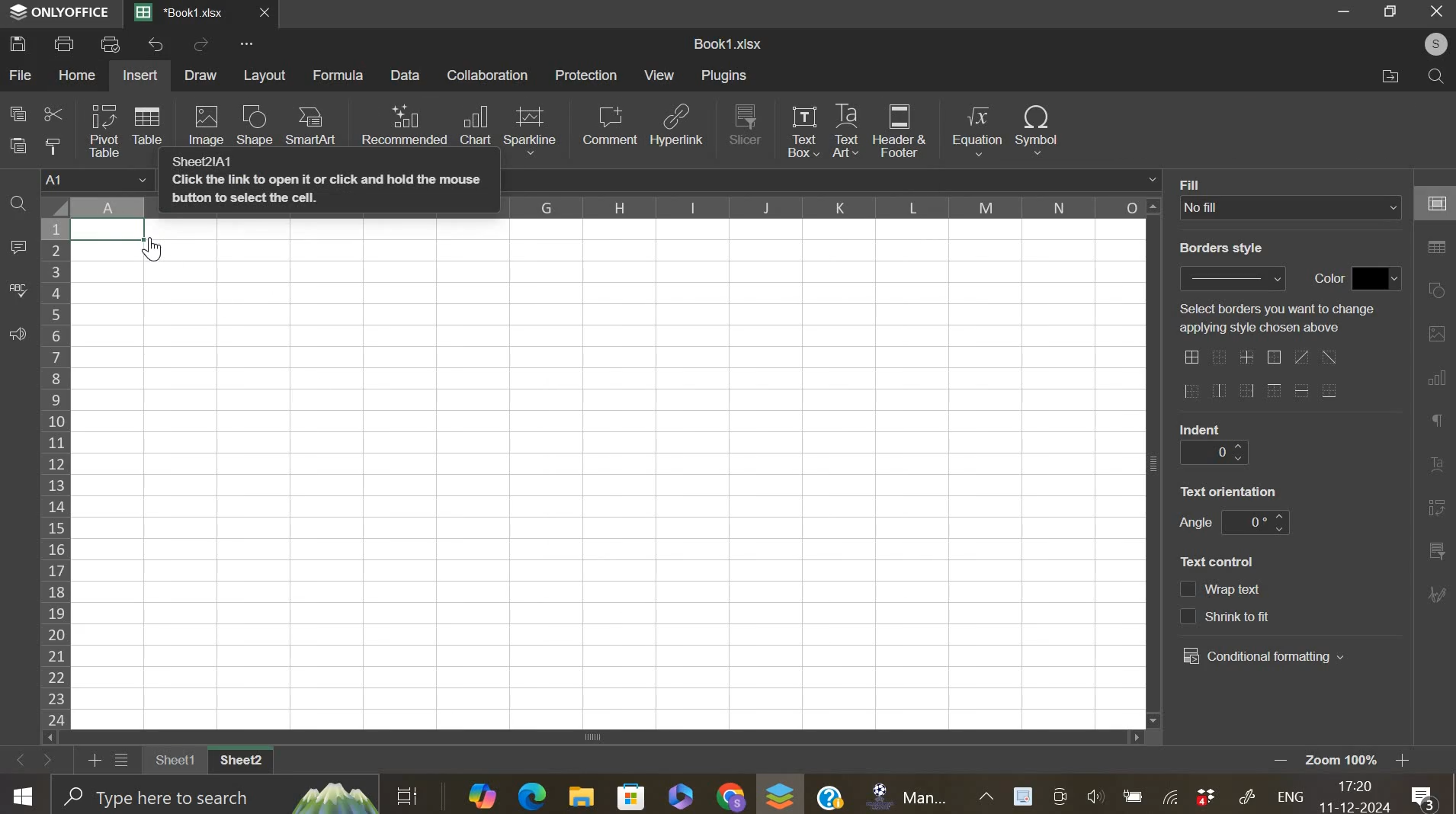 This screenshot has height=814, width=1456. I want to click on text, so click(1220, 248).